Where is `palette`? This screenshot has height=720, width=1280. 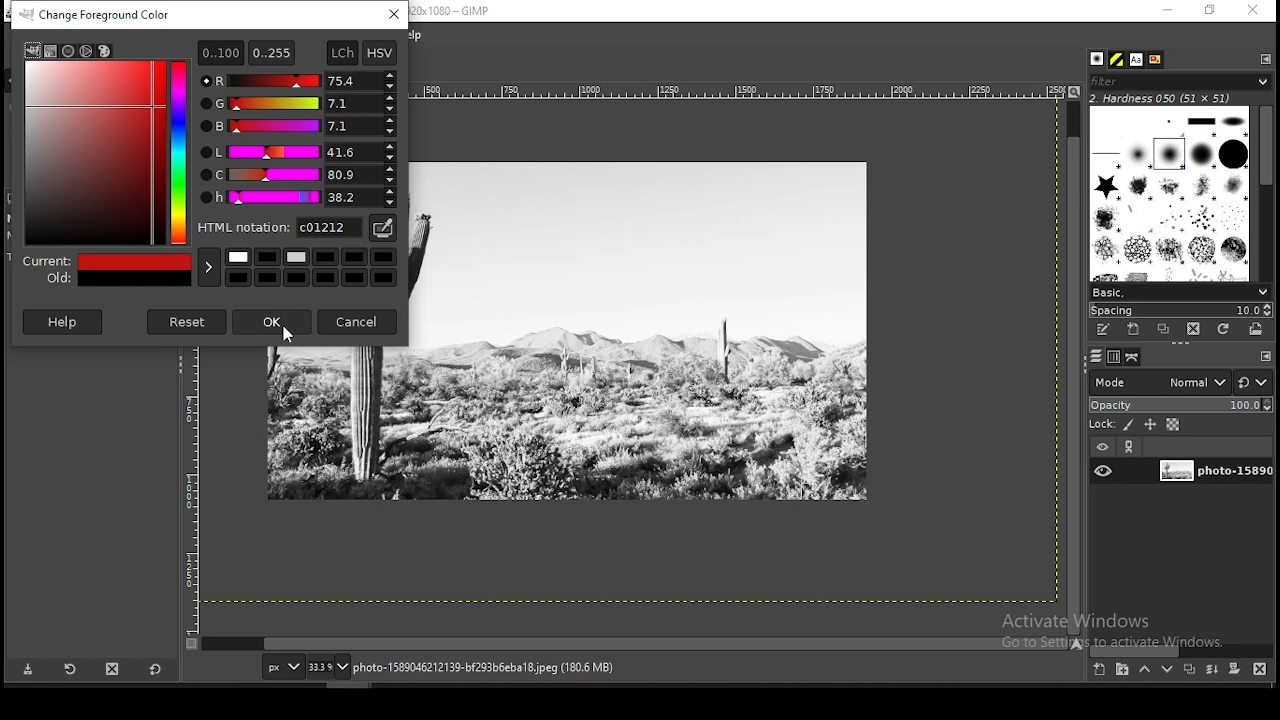
palette is located at coordinates (104, 50).